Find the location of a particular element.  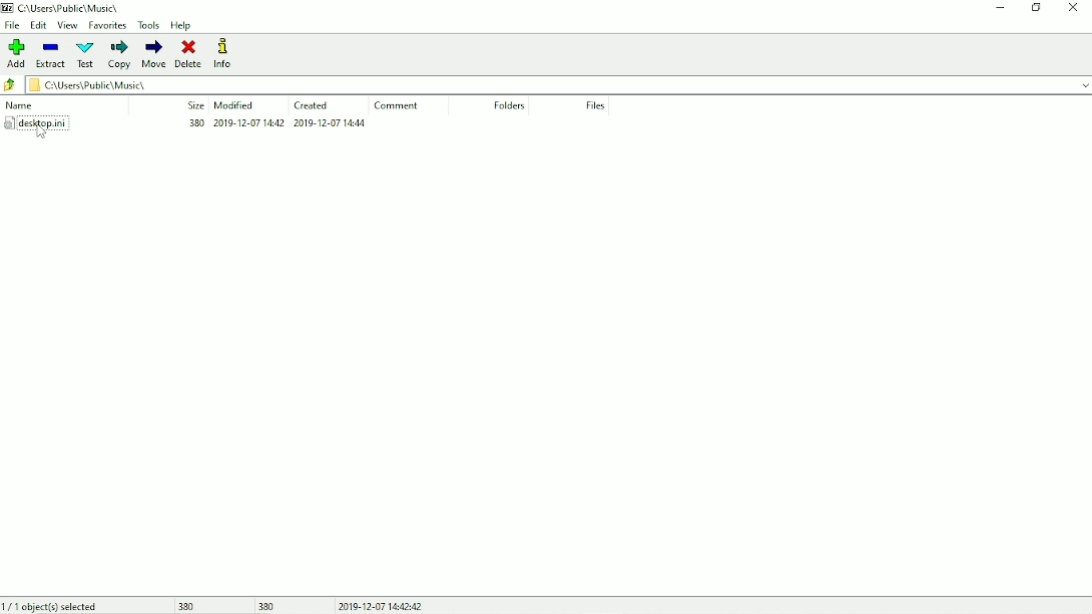

desktop.ini is located at coordinates (38, 123).